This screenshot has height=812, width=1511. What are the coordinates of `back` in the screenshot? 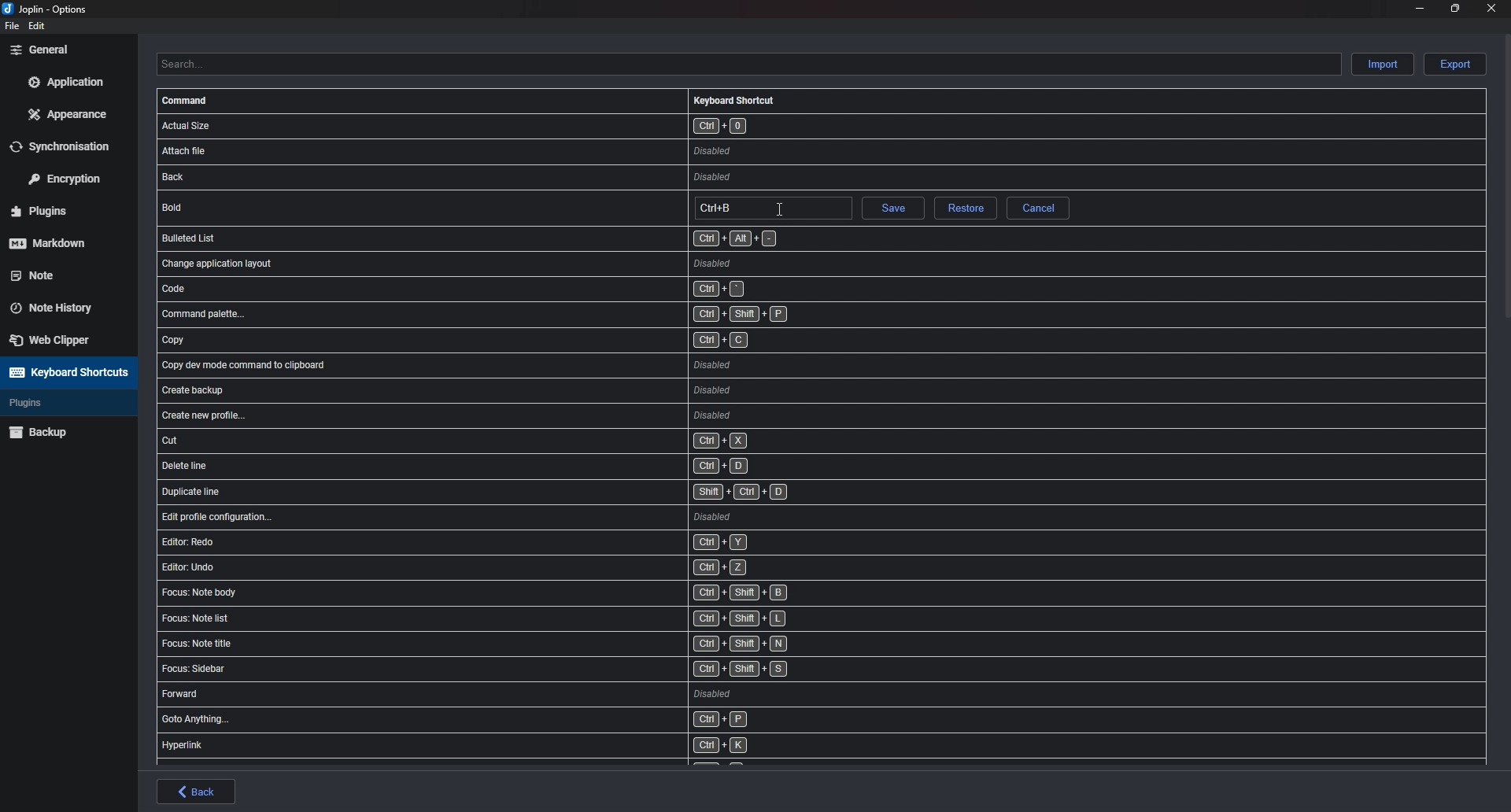 It's located at (197, 792).